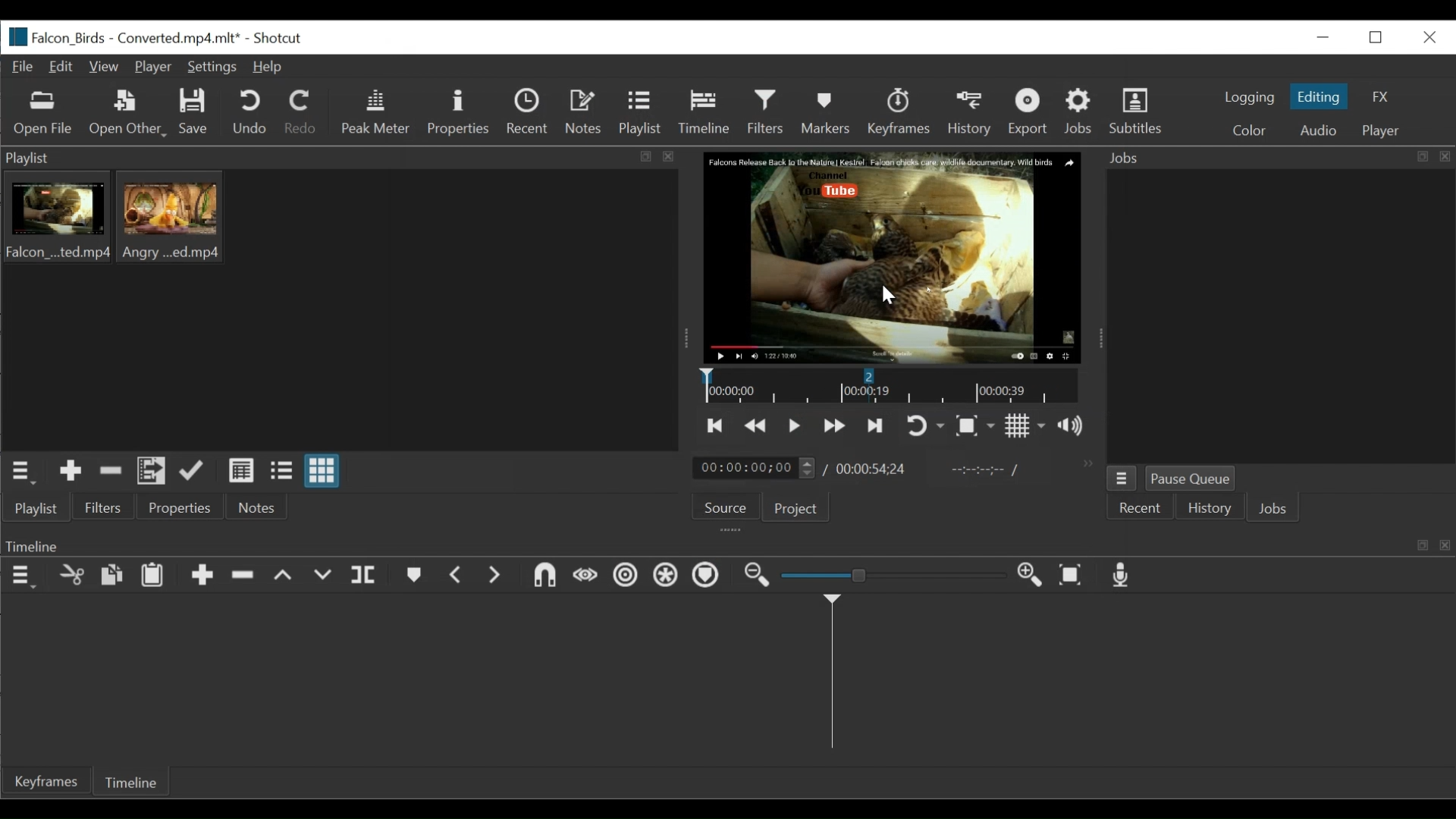  Describe the element at coordinates (826, 114) in the screenshot. I see `Markers` at that location.